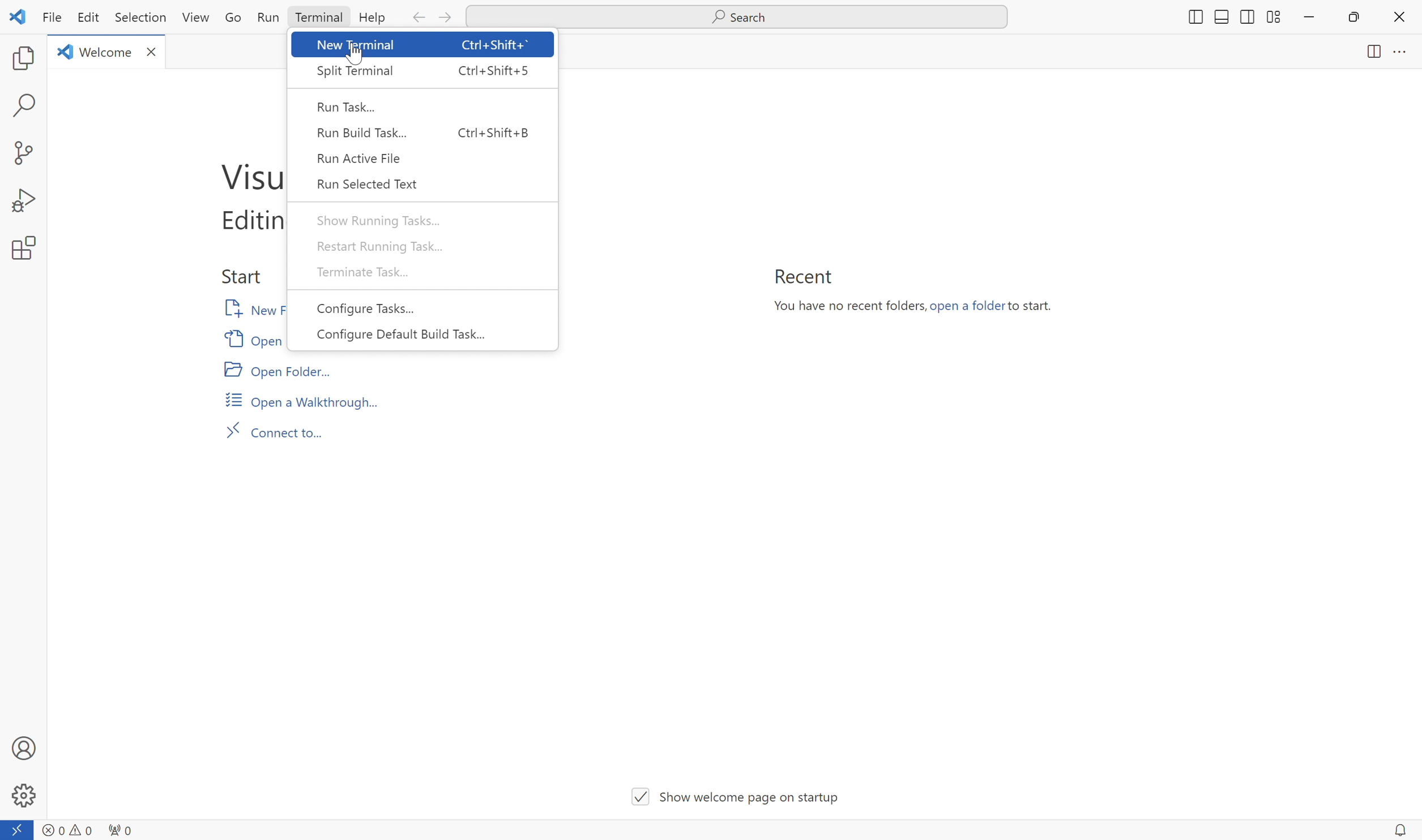 This screenshot has height=840, width=1422. Describe the element at coordinates (802, 276) in the screenshot. I see `Recent` at that location.